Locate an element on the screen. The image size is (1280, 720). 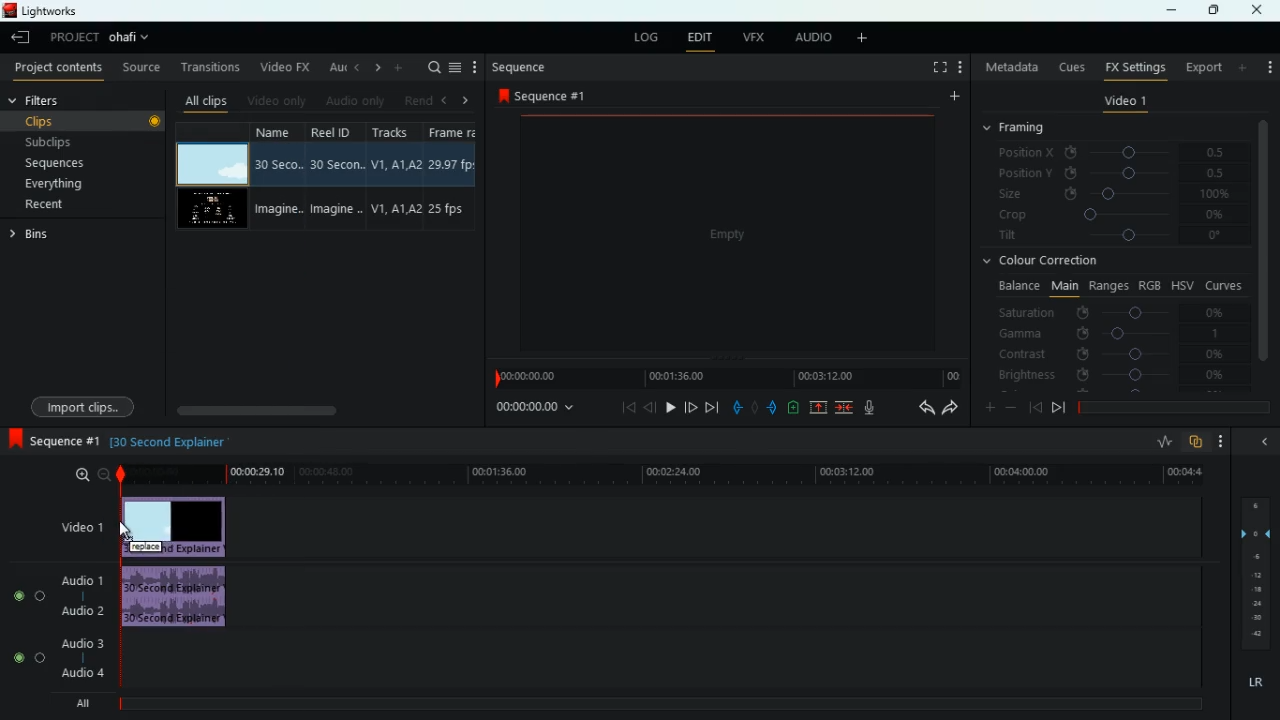
search is located at coordinates (430, 68).